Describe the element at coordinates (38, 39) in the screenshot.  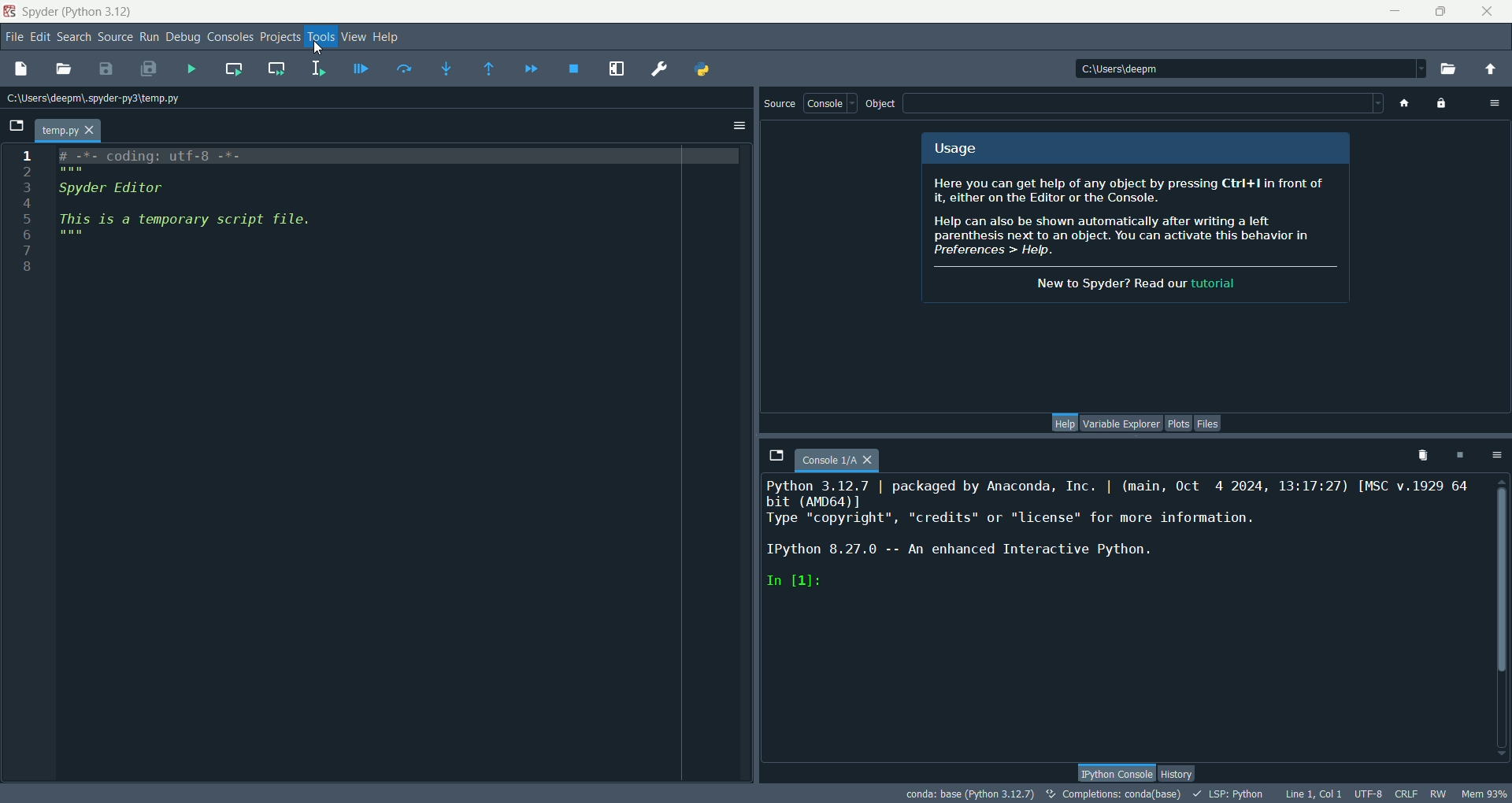
I see `edit` at that location.